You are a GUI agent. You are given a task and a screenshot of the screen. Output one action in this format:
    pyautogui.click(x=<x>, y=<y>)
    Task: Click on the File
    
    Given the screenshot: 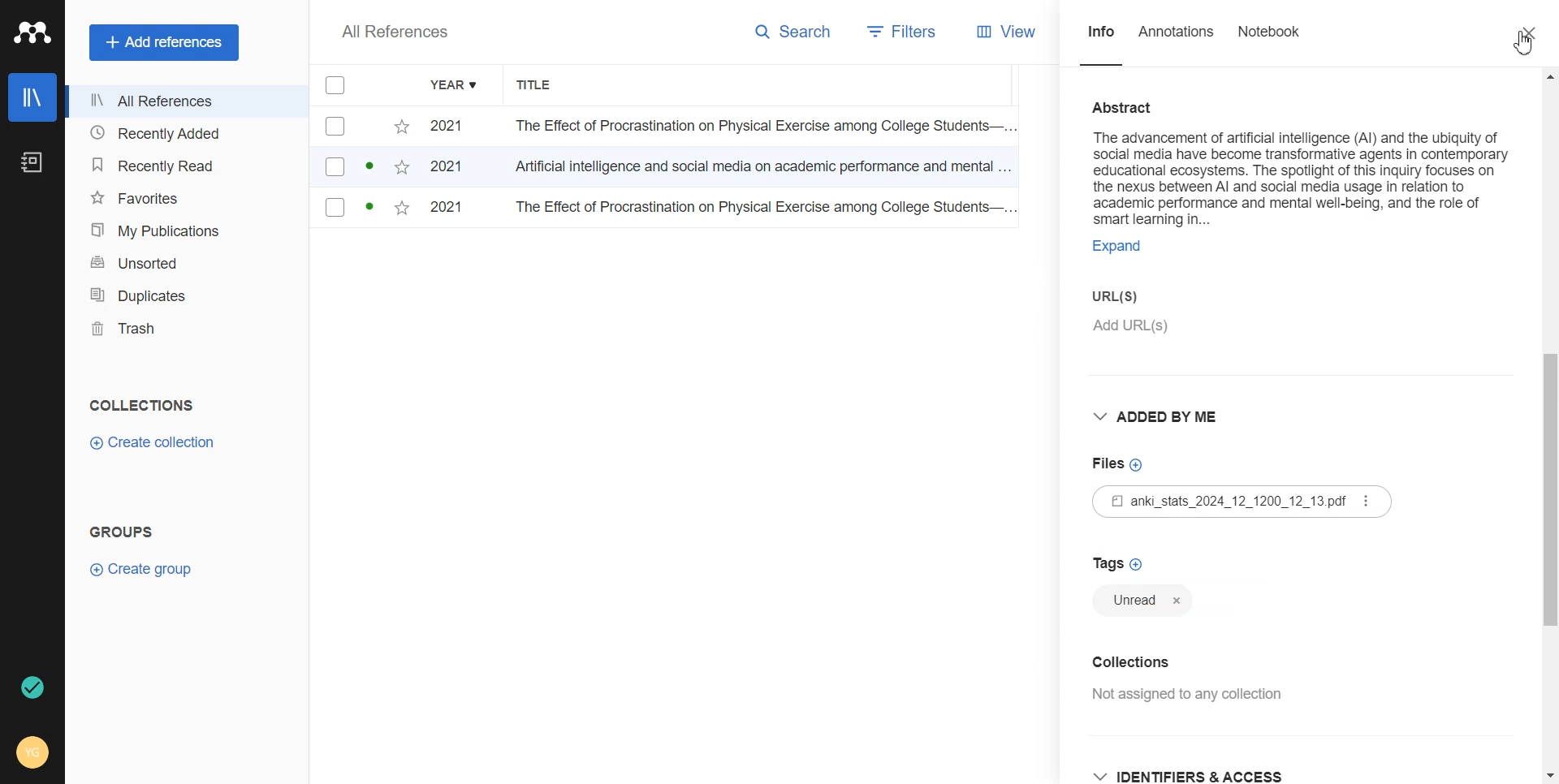 What is the action you would take?
    pyautogui.click(x=1241, y=502)
    